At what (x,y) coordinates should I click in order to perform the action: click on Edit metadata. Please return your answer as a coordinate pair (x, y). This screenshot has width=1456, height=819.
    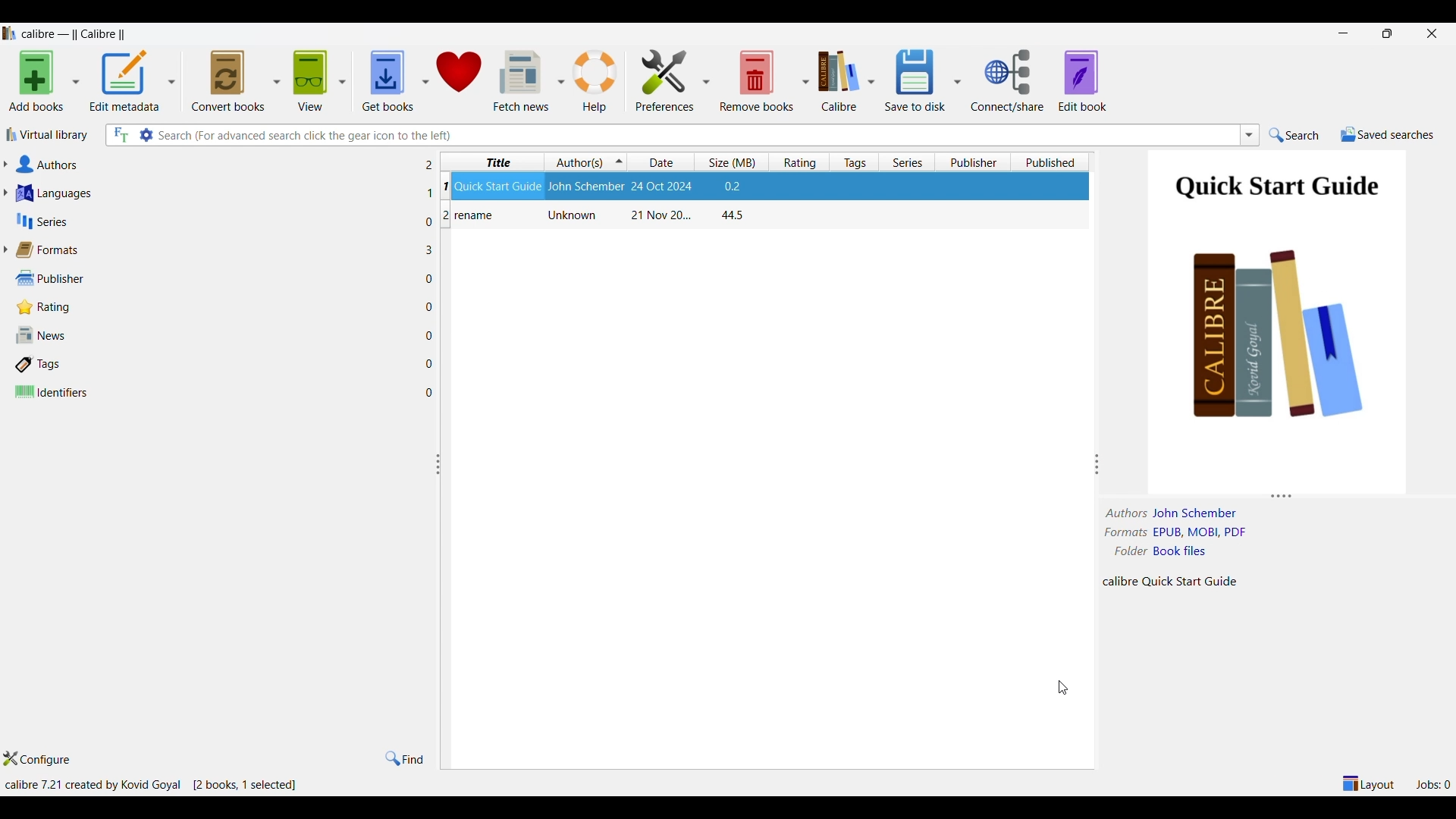
    Looking at the image, I should click on (125, 81).